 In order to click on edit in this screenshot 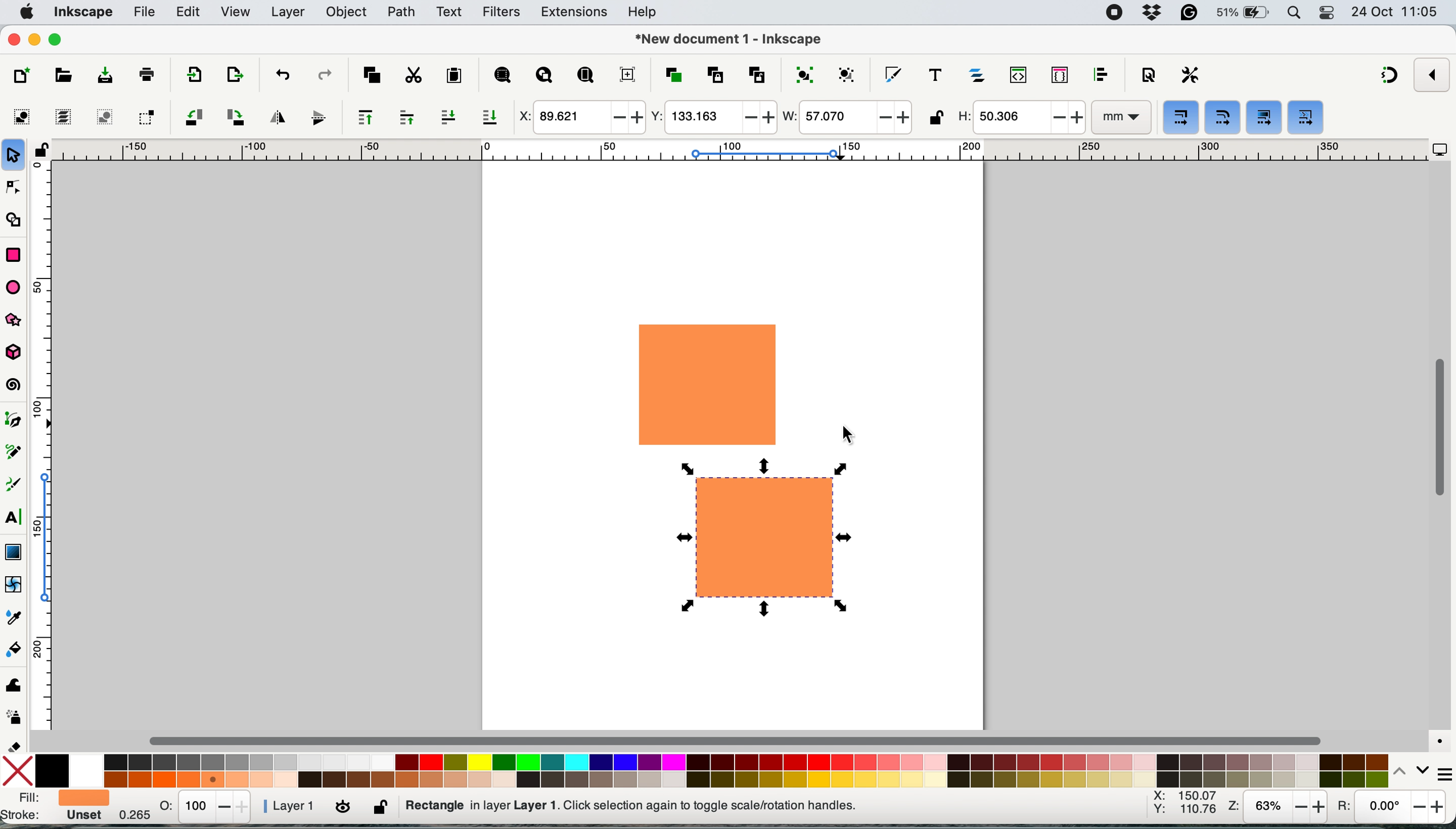, I will do `click(190, 13)`.